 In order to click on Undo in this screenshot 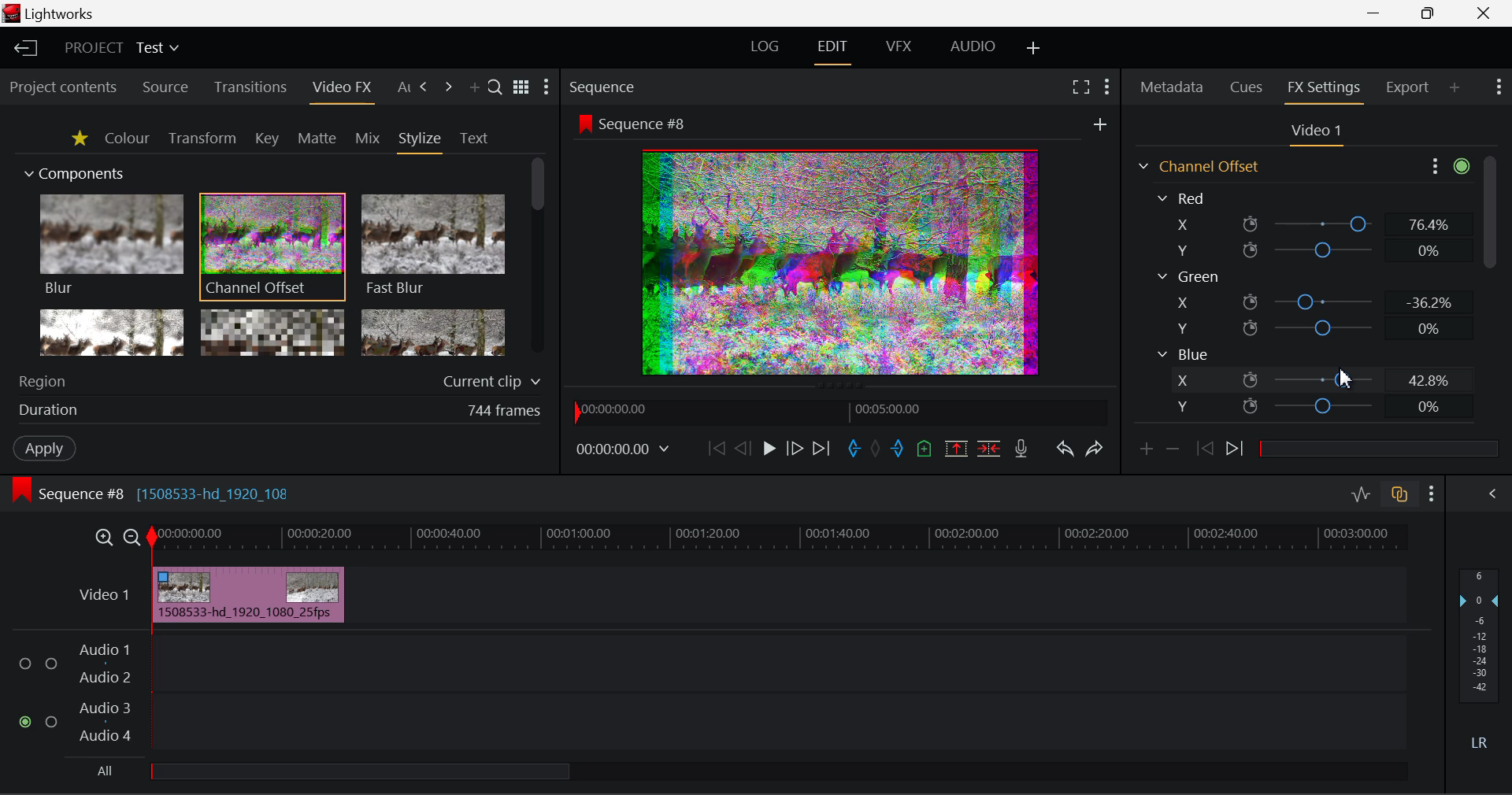, I will do `click(1067, 451)`.